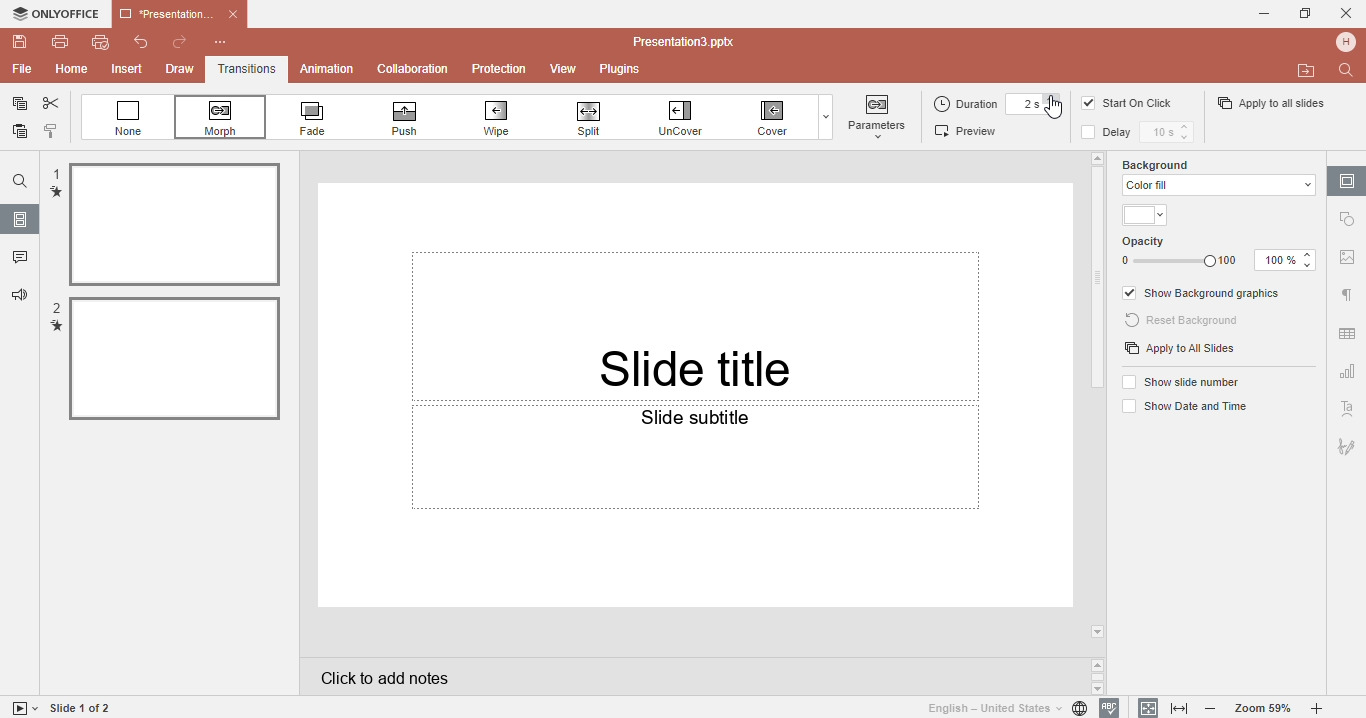 Image resolution: width=1366 pixels, height=718 pixels. Describe the element at coordinates (971, 131) in the screenshot. I see `Preview` at that location.